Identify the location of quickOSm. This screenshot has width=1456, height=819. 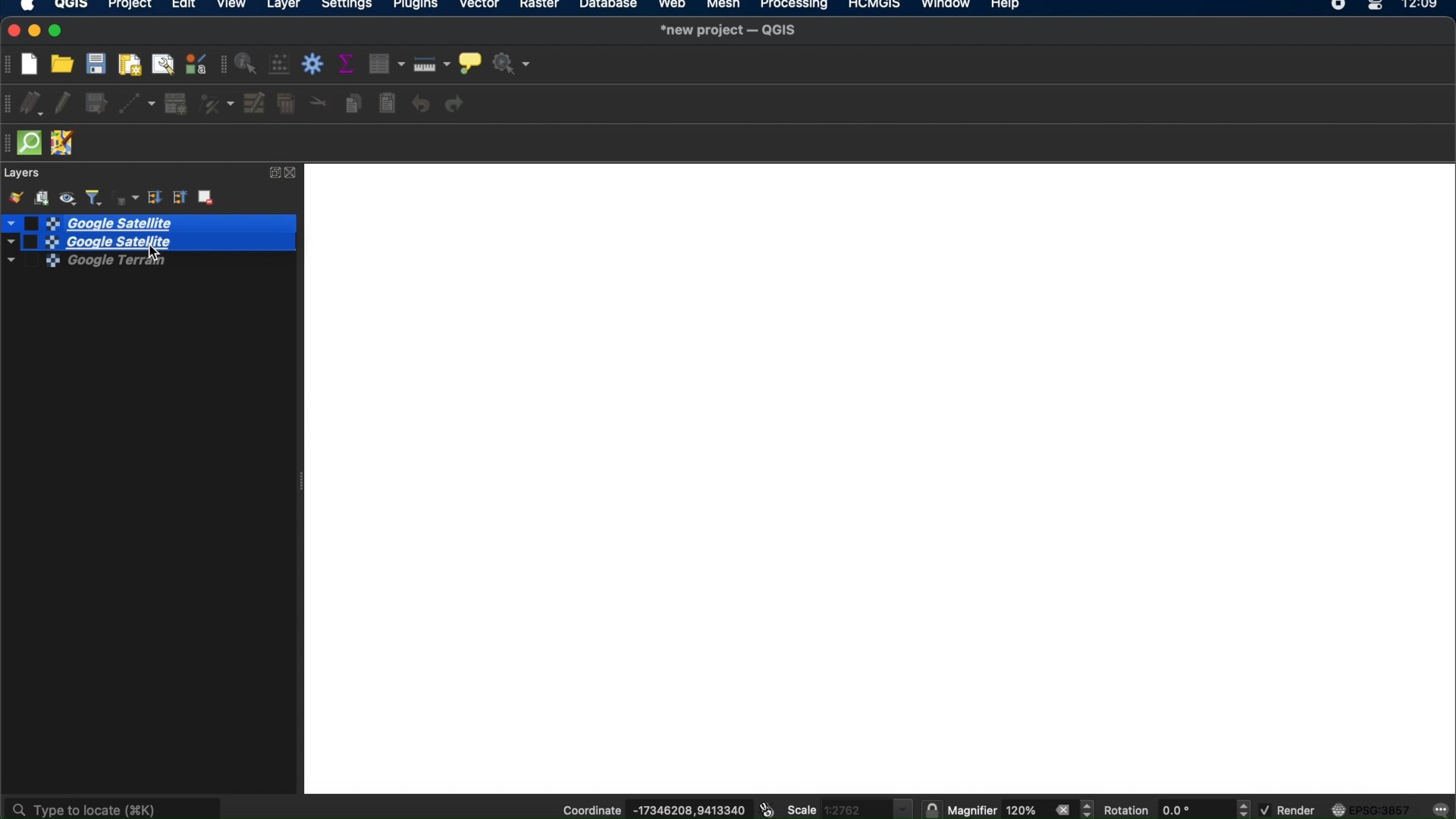
(33, 143).